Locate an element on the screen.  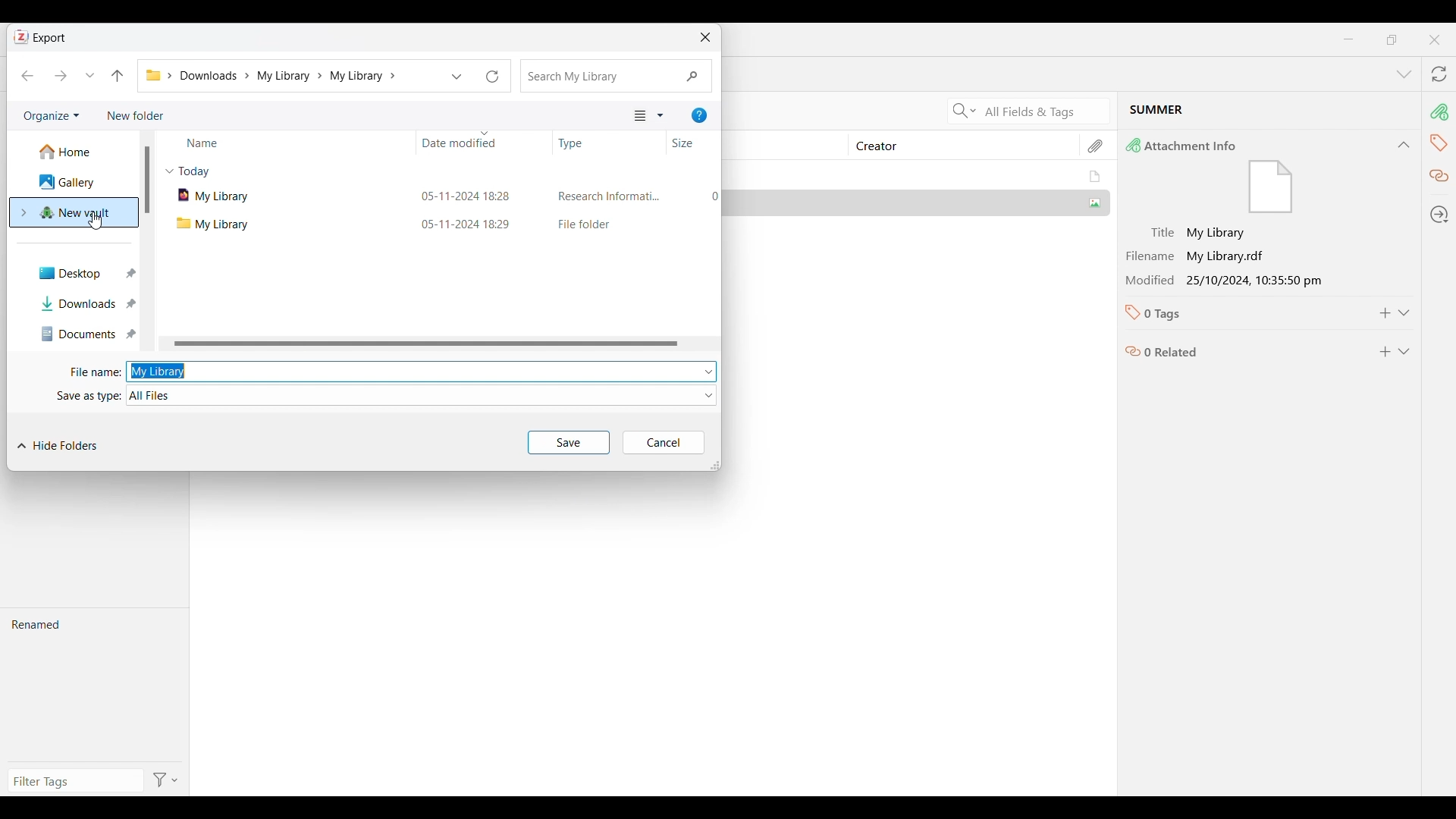
More view  is located at coordinates (661, 116).